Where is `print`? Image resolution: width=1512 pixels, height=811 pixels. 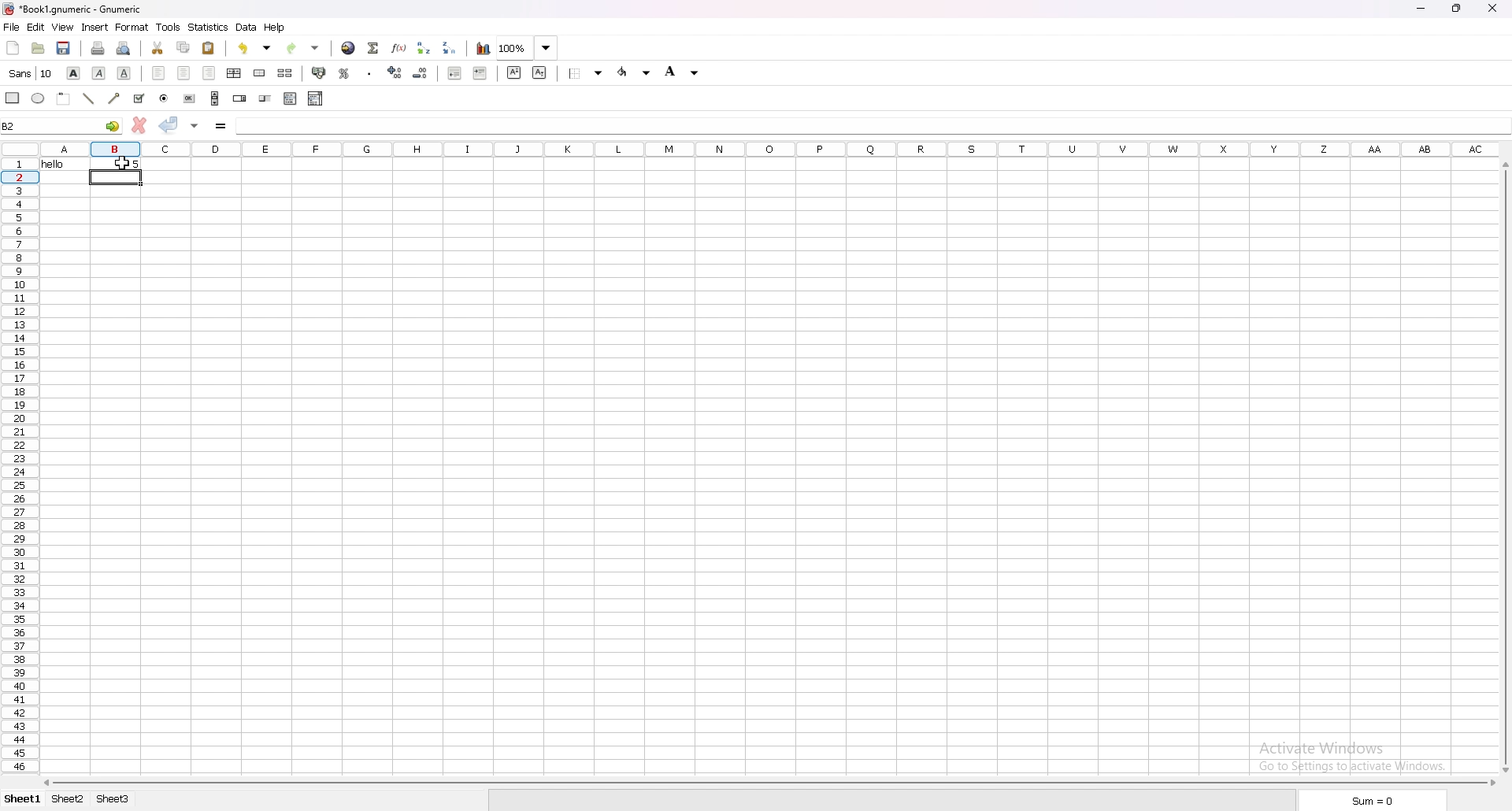 print is located at coordinates (98, 48).